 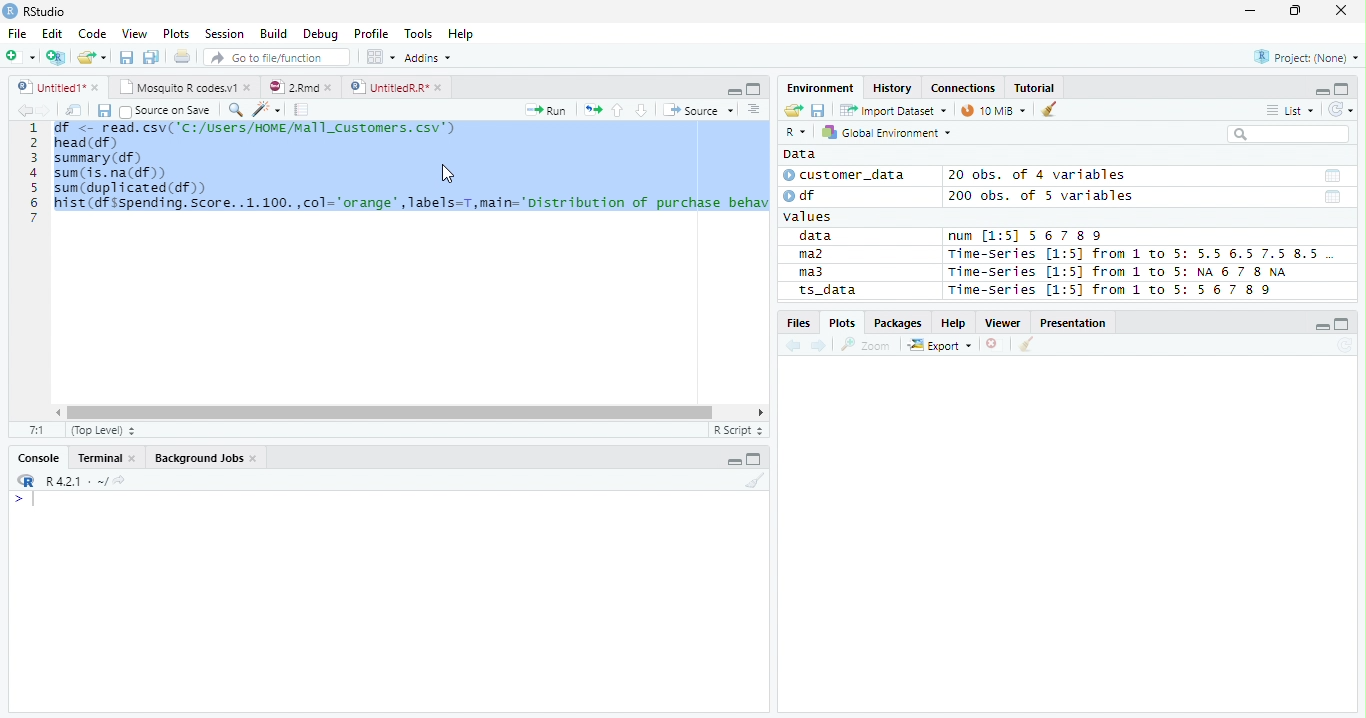 I want to click on Typing indicator, so click(x=33, y=500).